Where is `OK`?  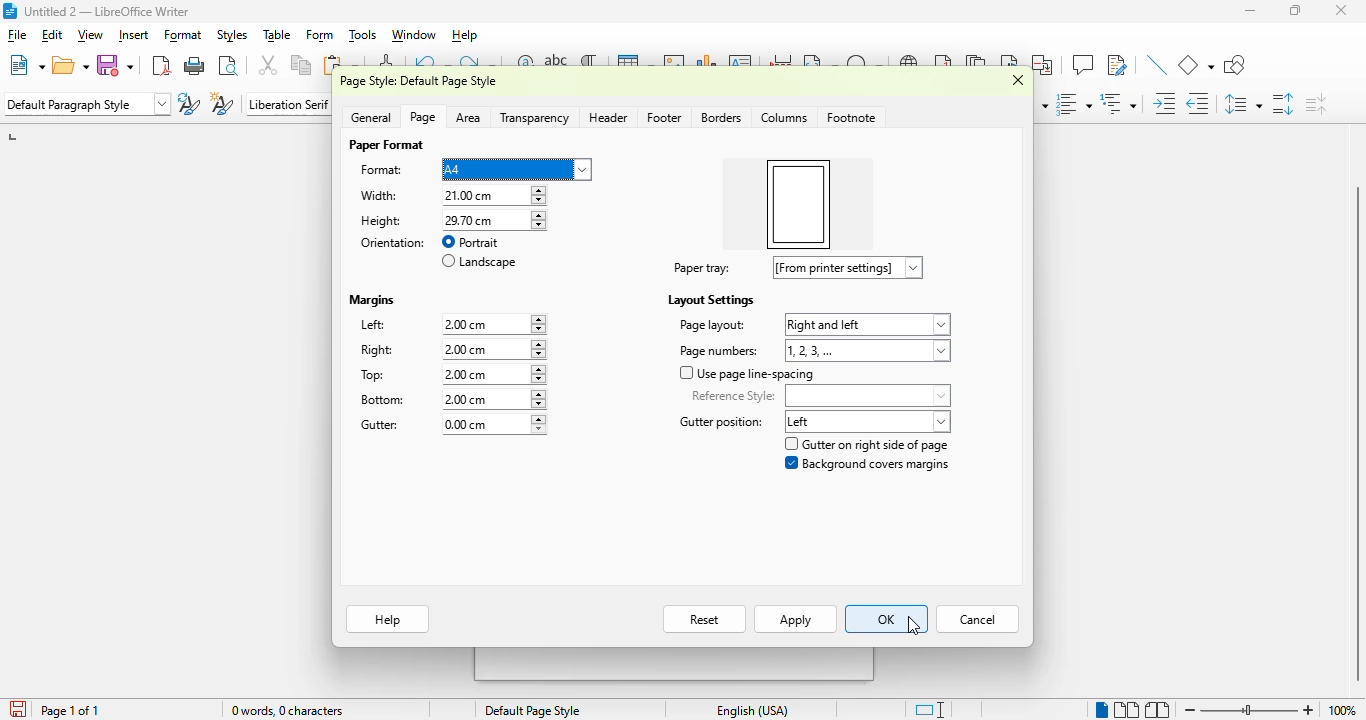
OK is located at coordinates (887, 619).